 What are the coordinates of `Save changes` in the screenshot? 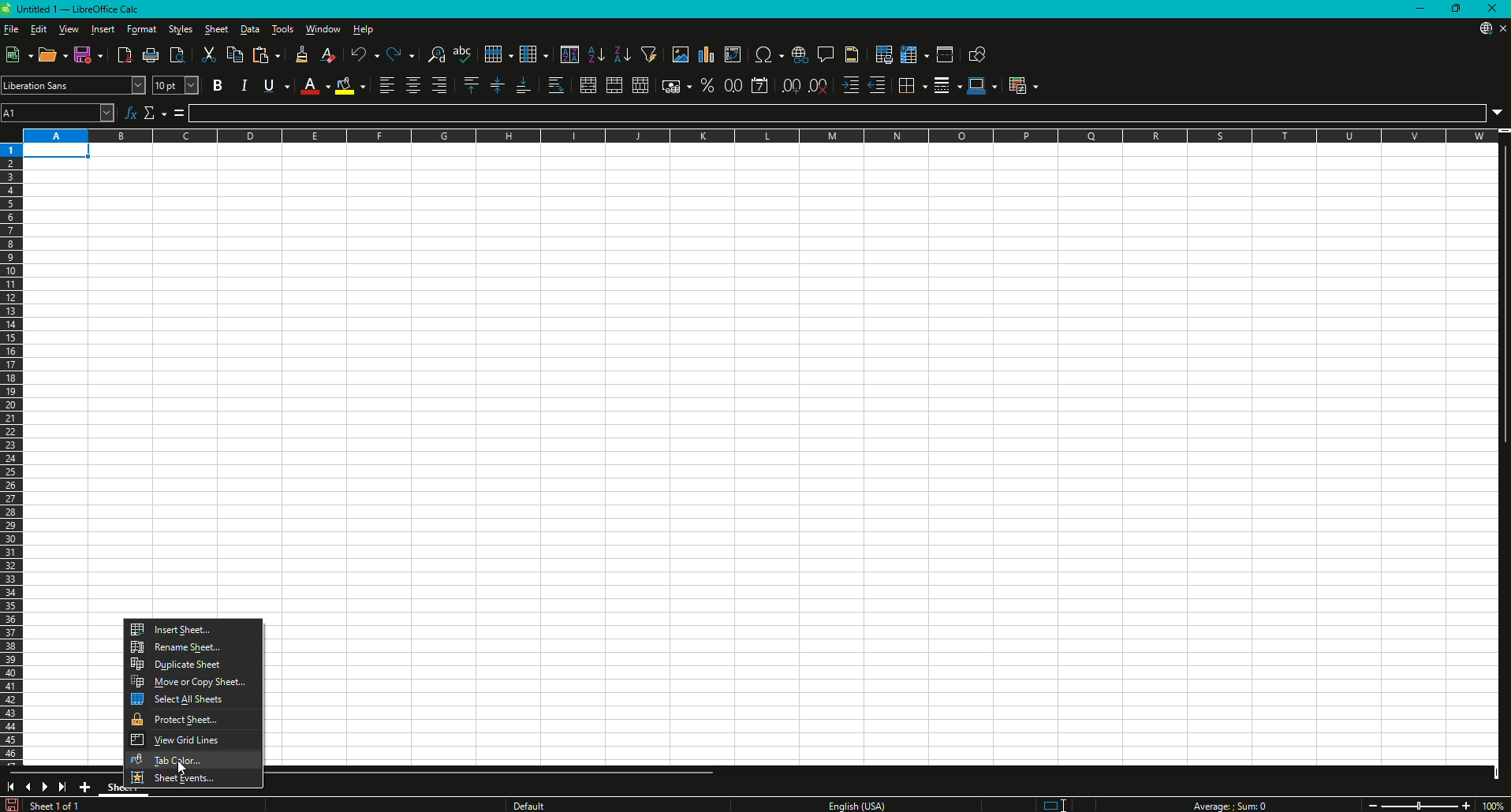 It's located at (12, 804).